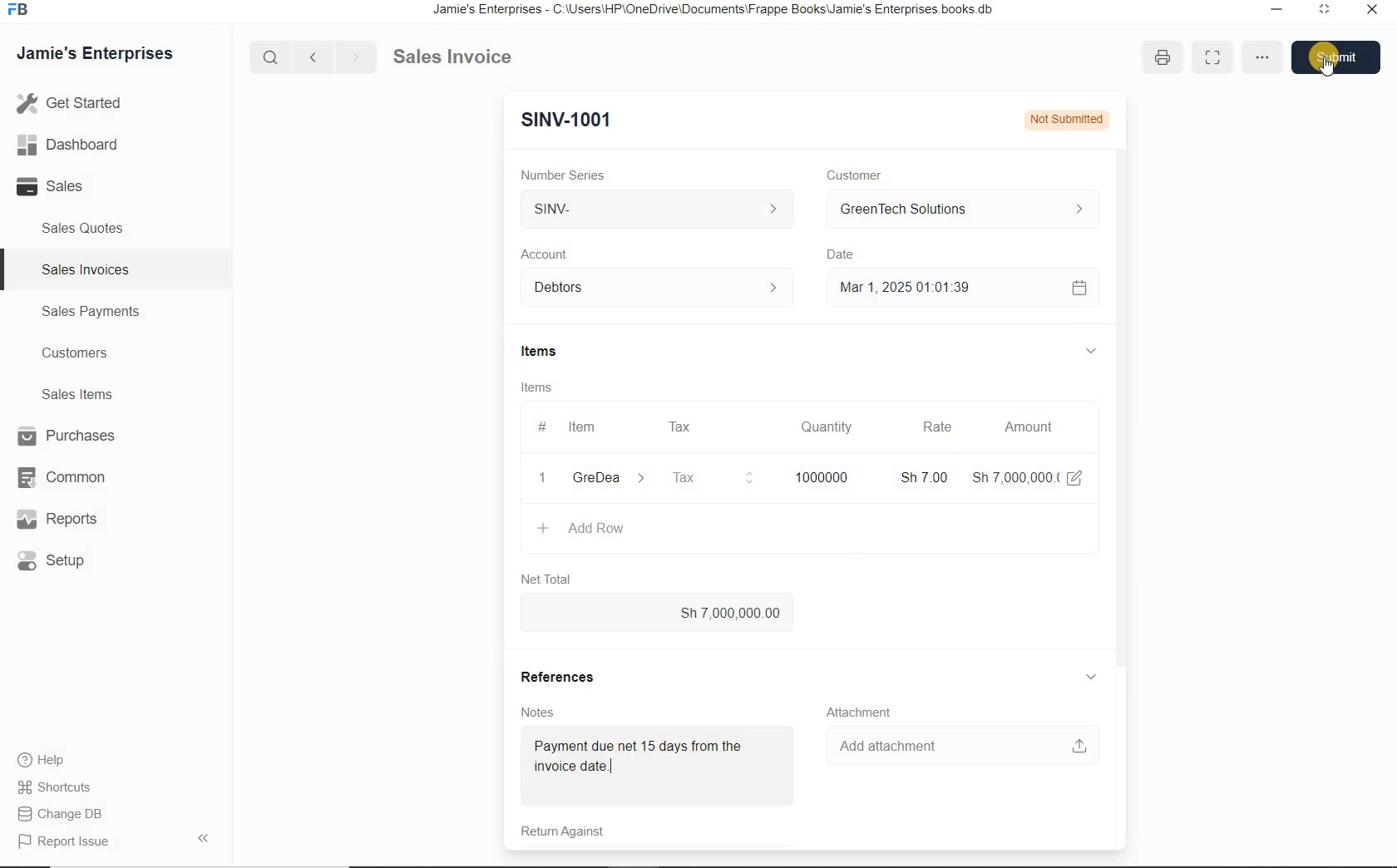 Image resolution: width=1397 pixels, height=868 pixels. I want to click on Shortcuts, so click(62, 787).